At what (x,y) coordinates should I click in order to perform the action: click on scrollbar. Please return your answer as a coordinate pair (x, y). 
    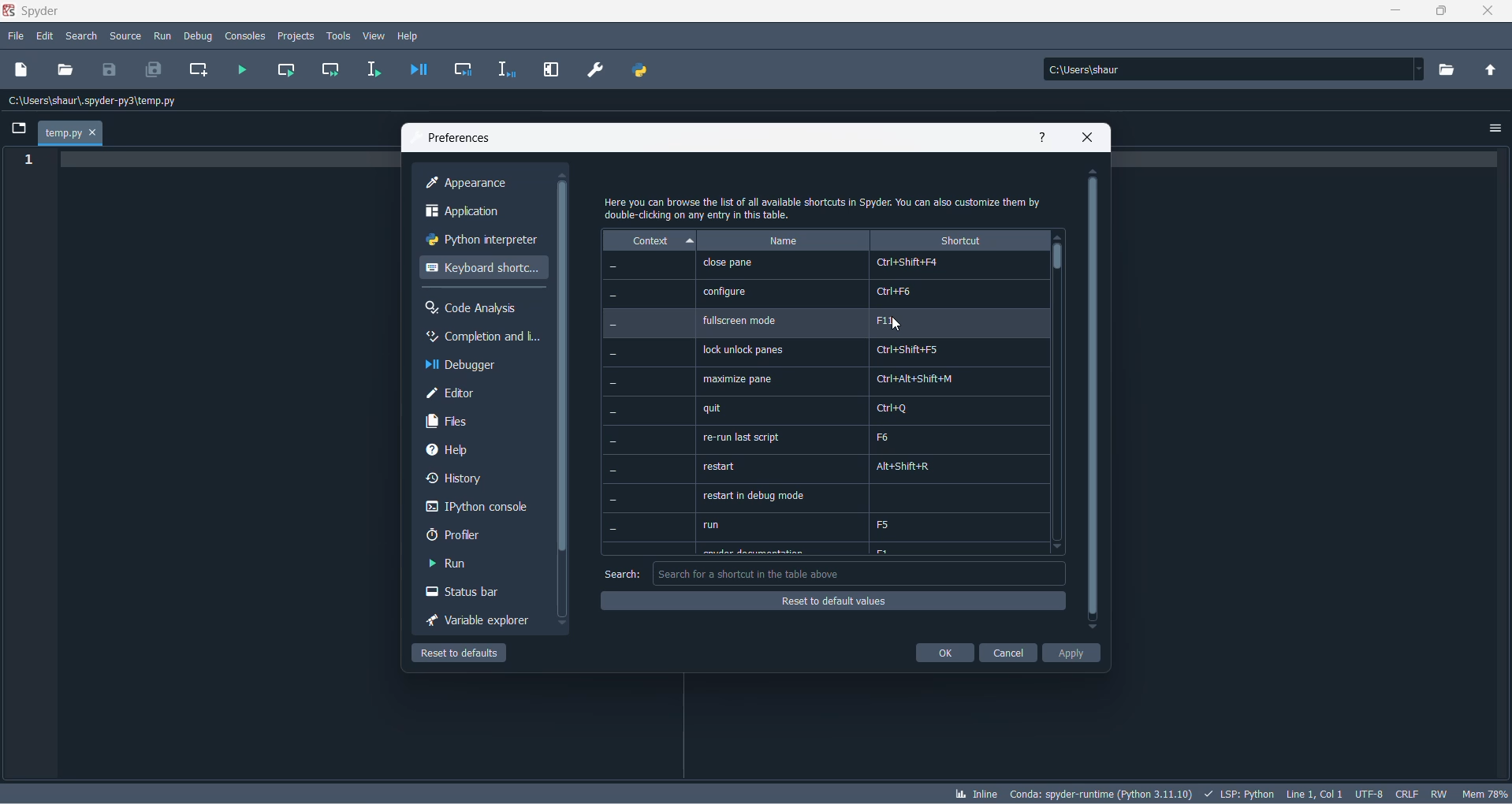
    Looking at the image, I should click on (1092, 400).